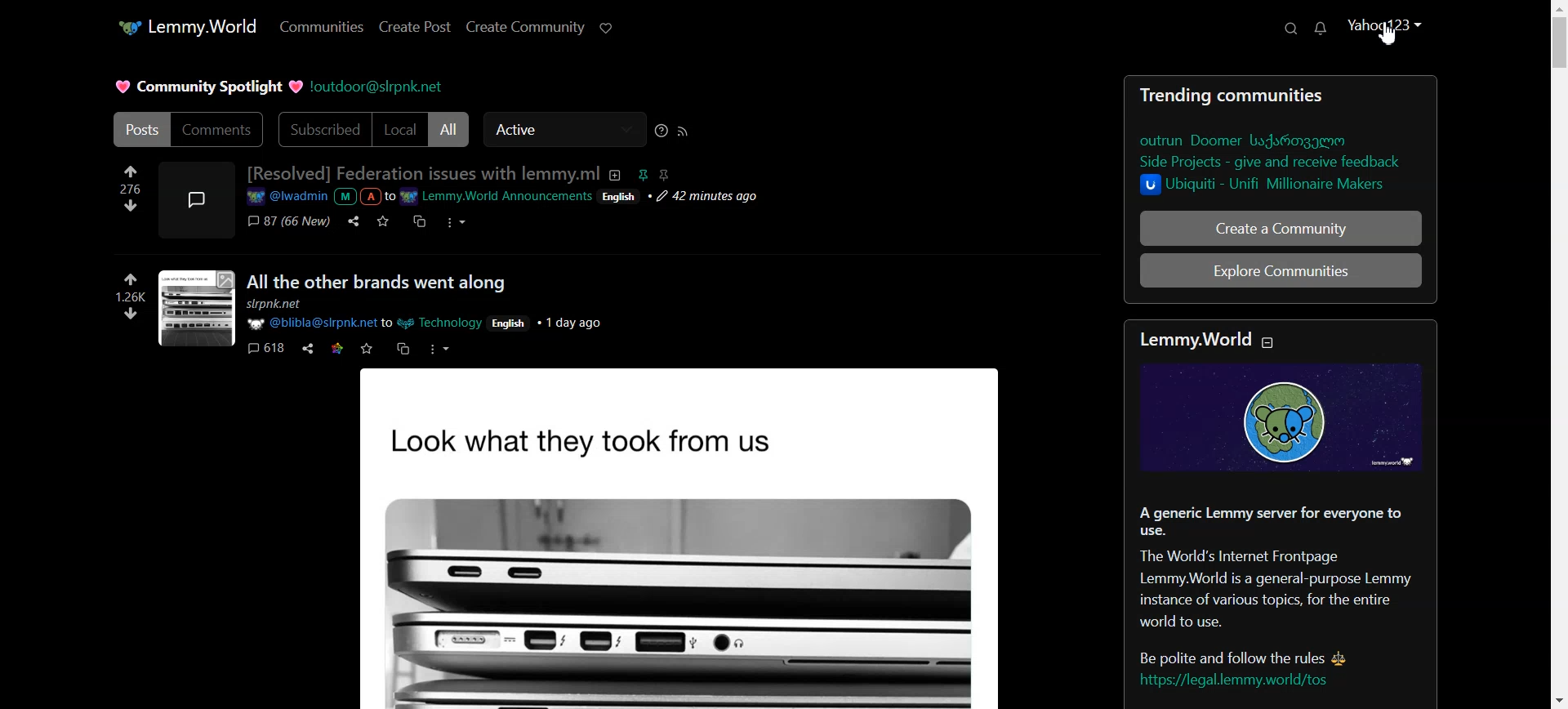  What do you see at coordinates (683, 198) in the screenshot?
I see `English 42 minutes ago` at bounding box center [683, 198].